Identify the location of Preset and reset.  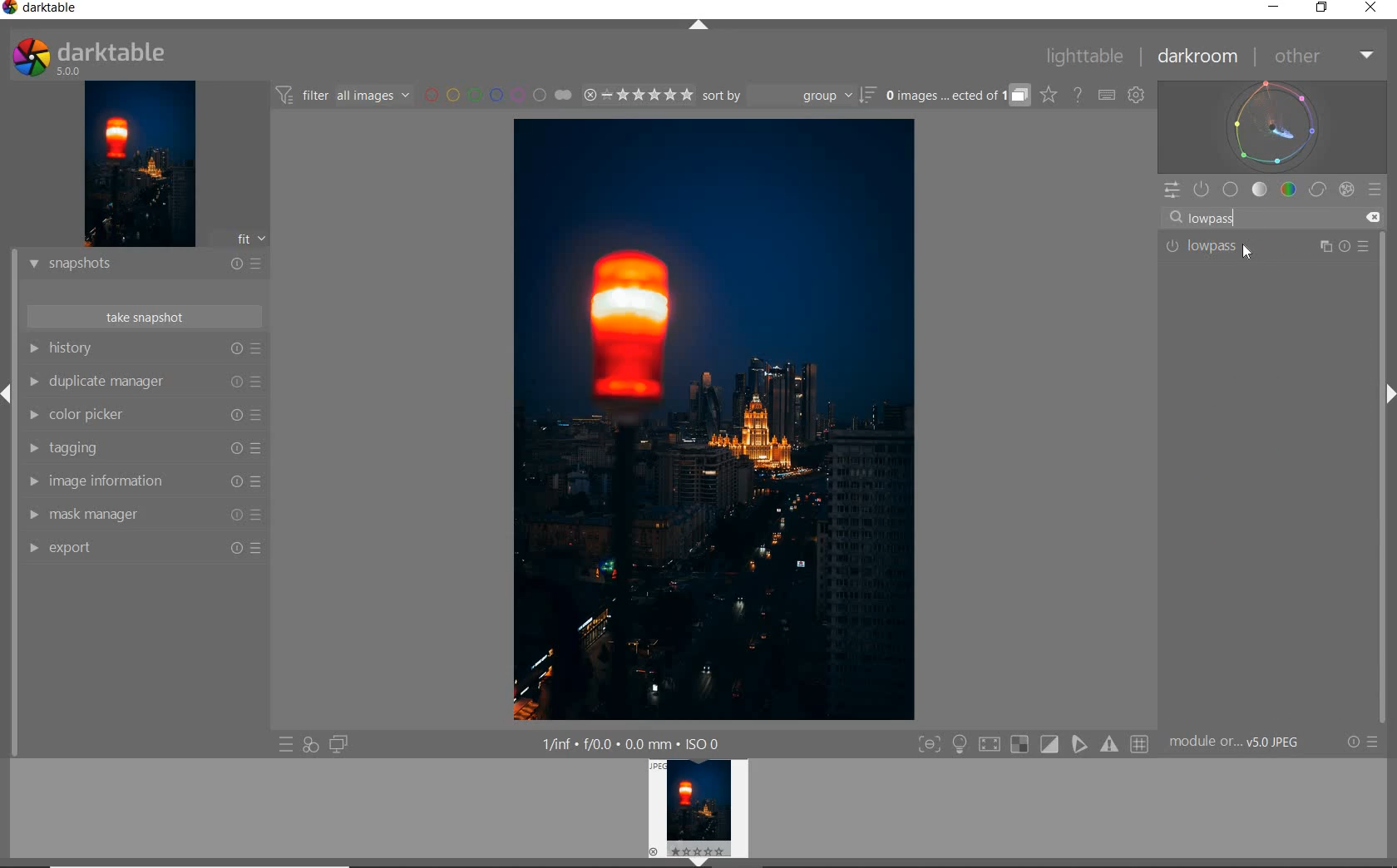
(261, 518).